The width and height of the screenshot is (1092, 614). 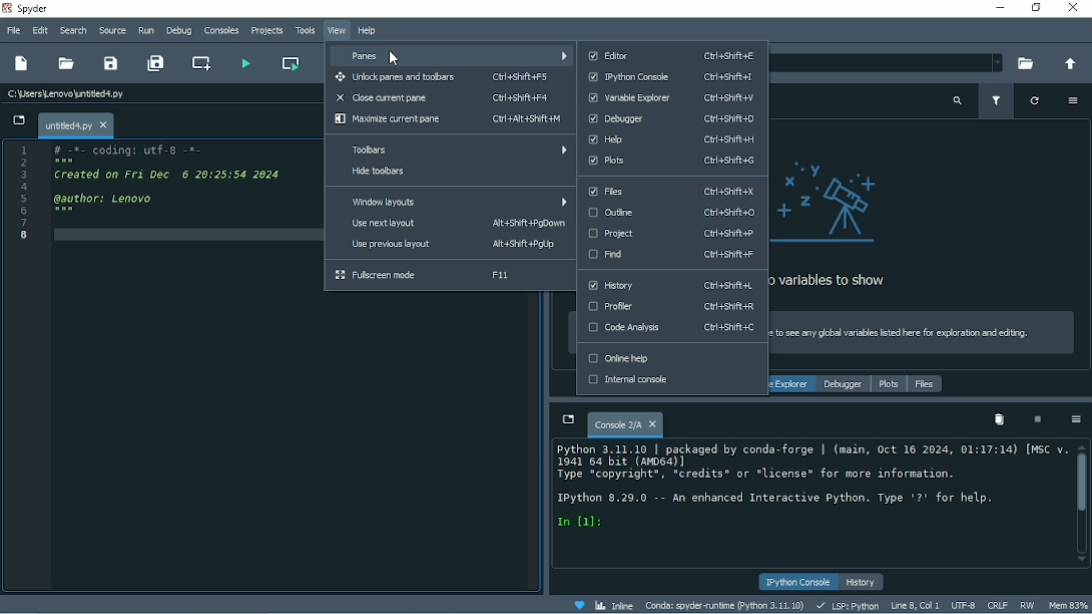 I want to click on New file, so click(x=23, y=64).